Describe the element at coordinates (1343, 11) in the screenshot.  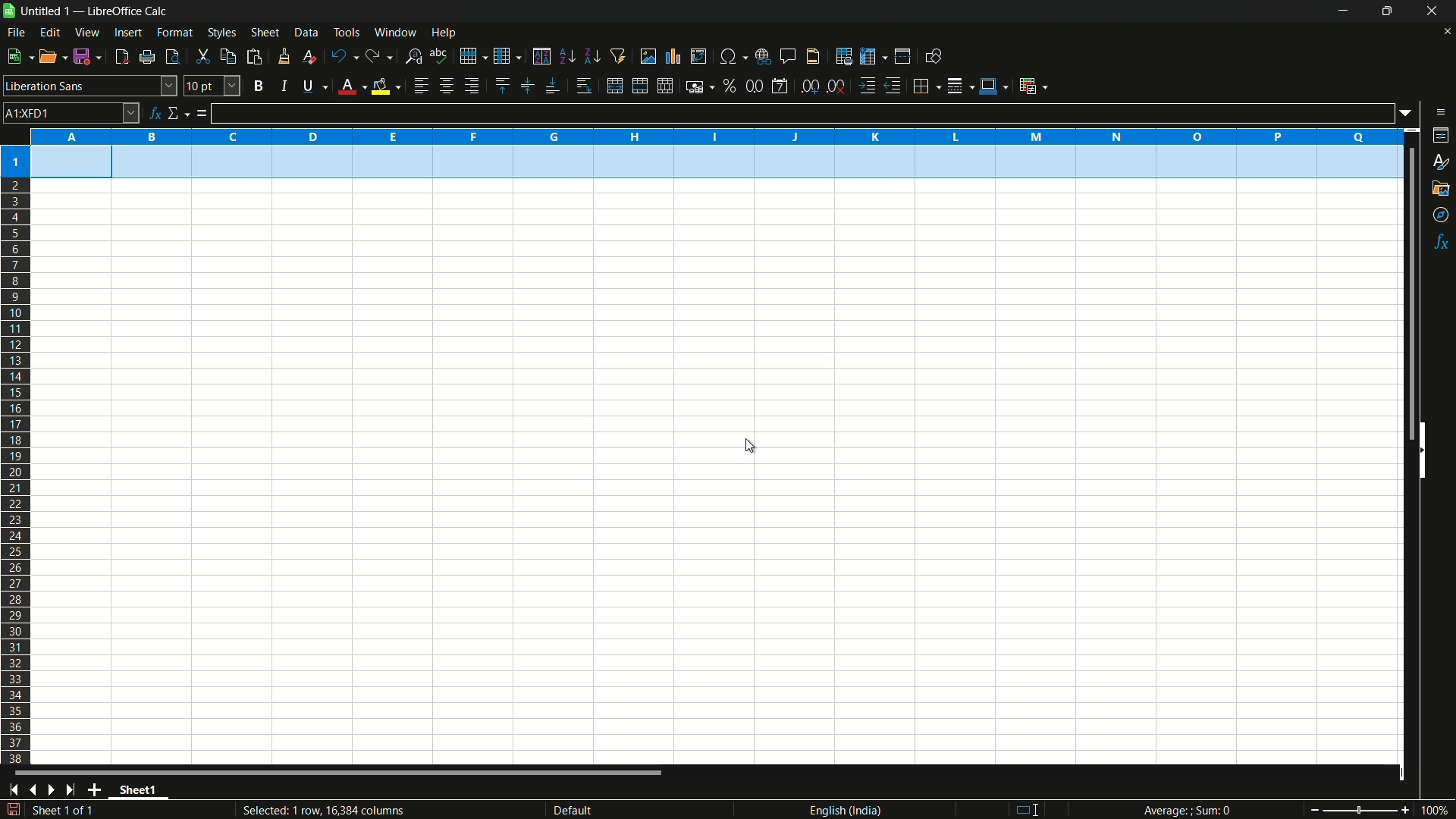
I see `minimize` at that location.